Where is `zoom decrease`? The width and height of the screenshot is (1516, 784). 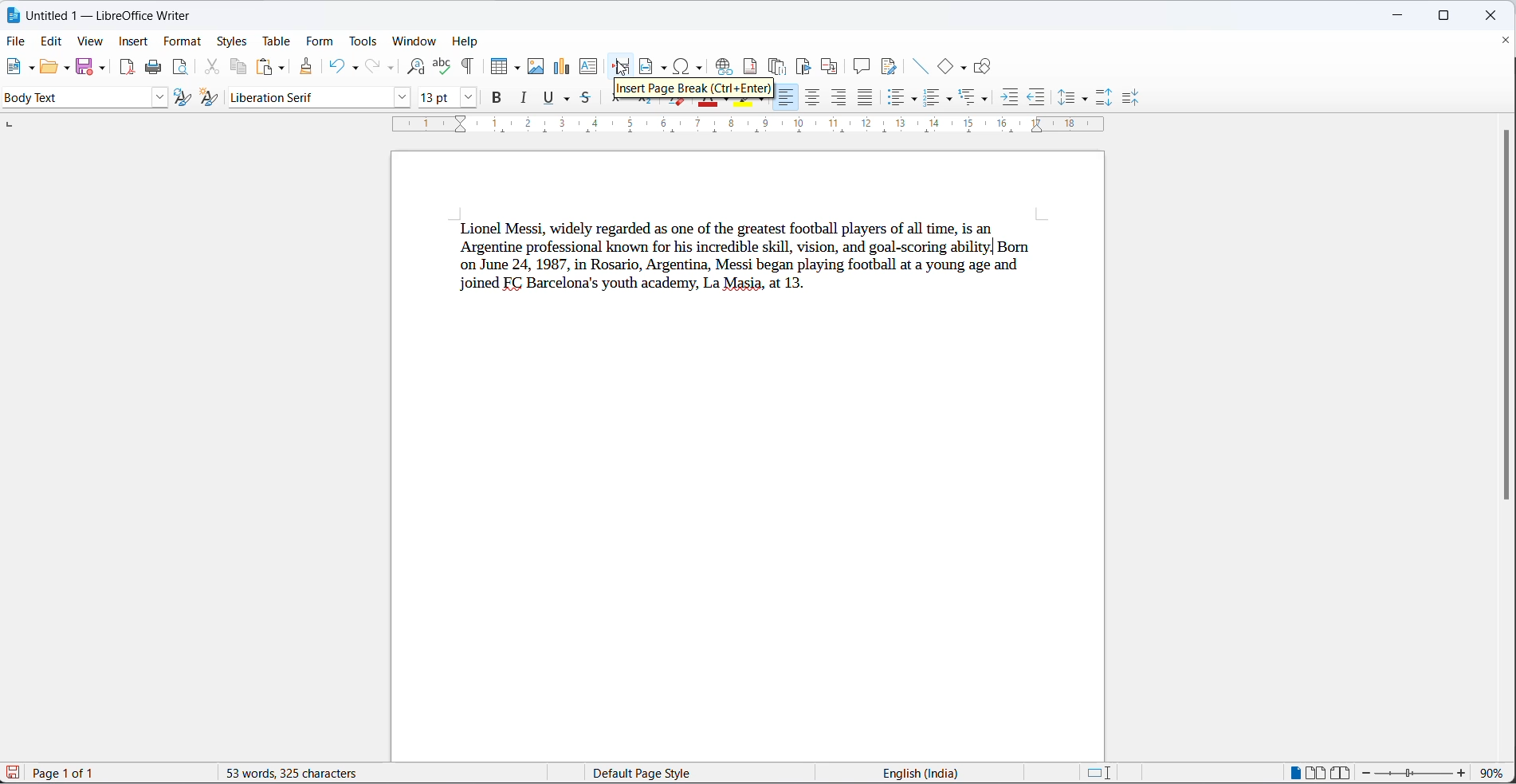 zoom decrease is located at coordinates (1365, 773).